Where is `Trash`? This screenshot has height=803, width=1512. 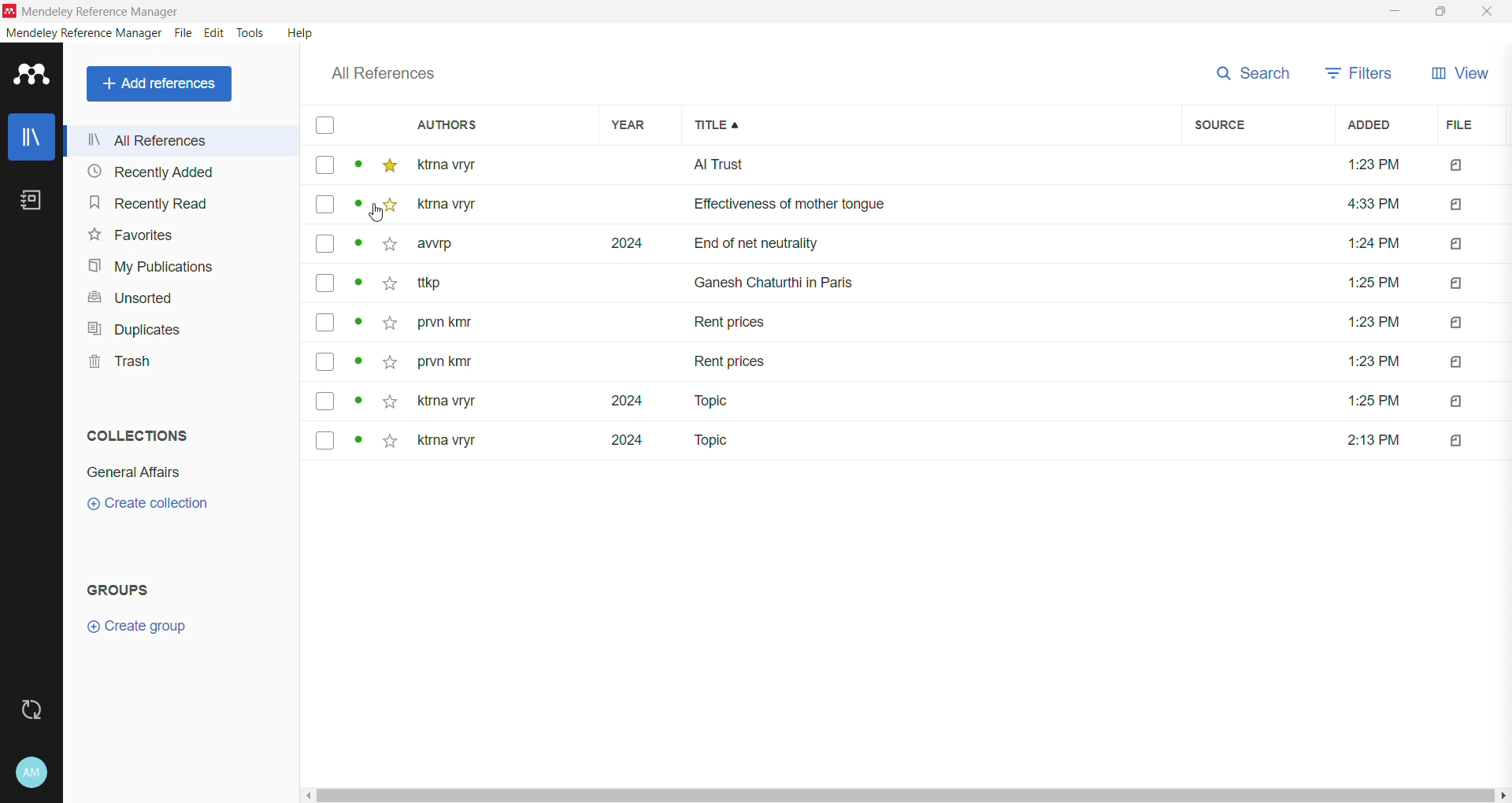 Trash is located at coordinates (117, 361).